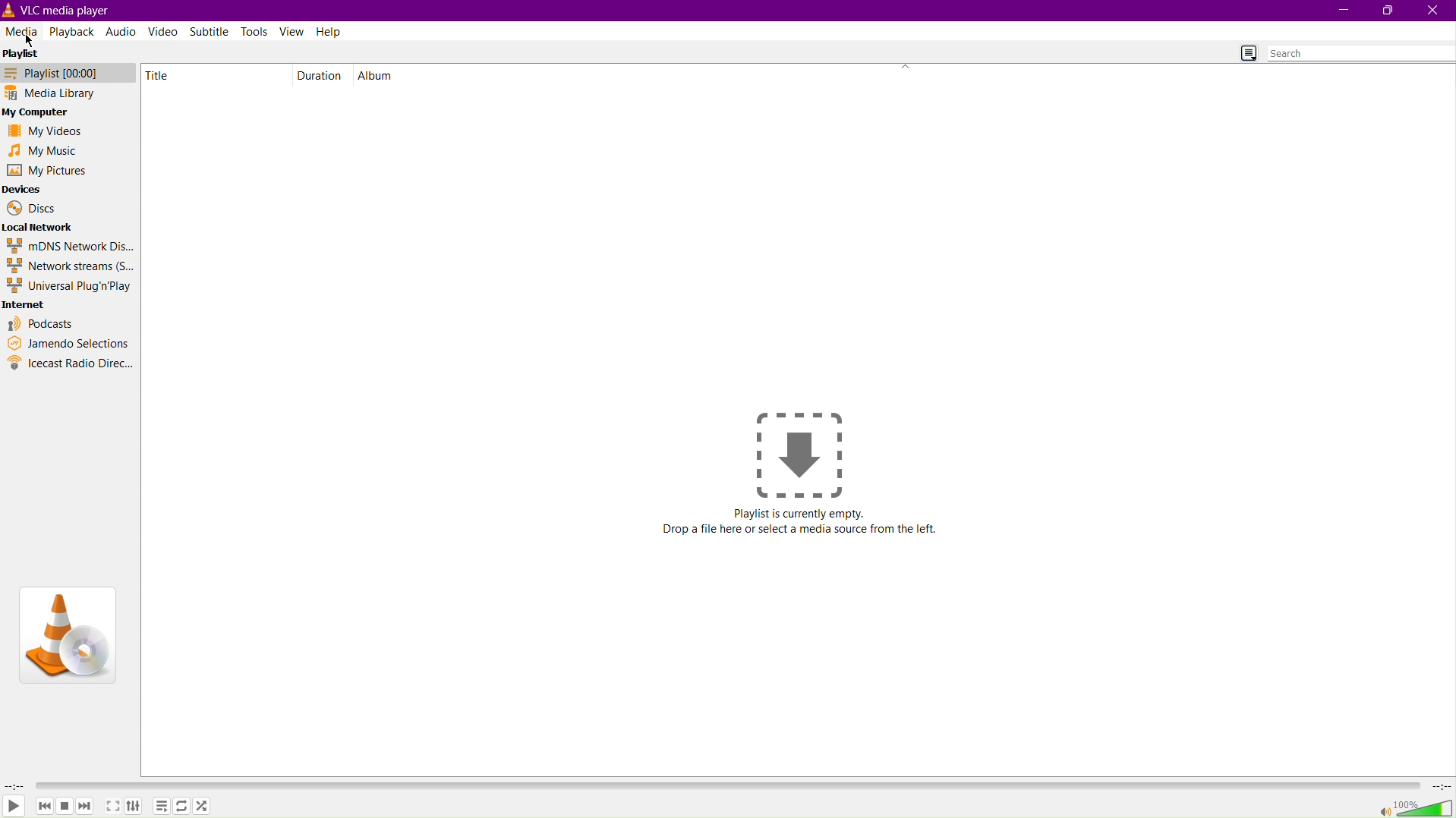  Describe the element at coordinates (68, 637) in the screenshot. I see `VLC Logo` at that location.